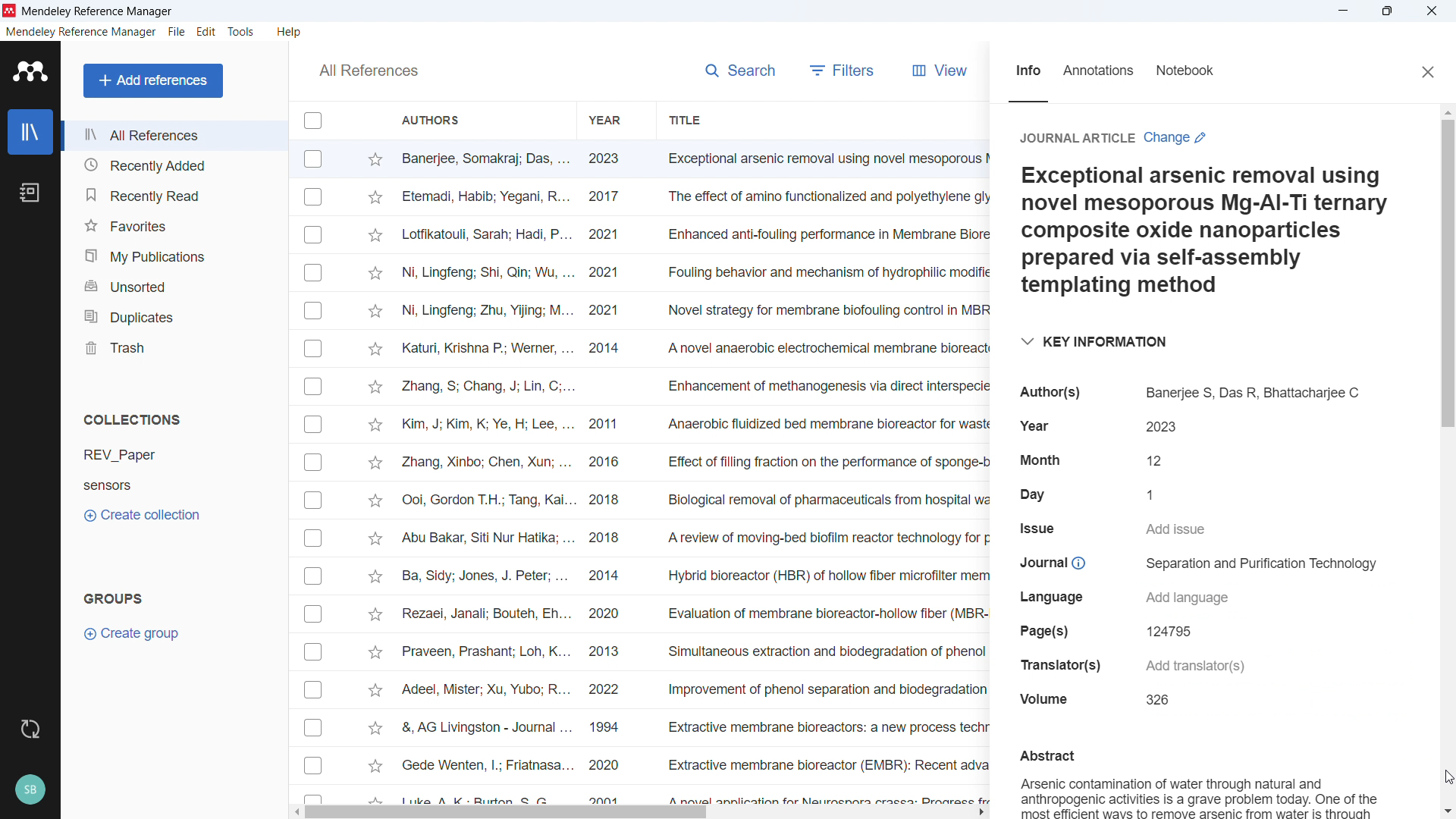 This screenshot has width=1456, height=819. What do you see at coordinates (367, 71) in the screenshot?
I see `all references` at bounding box center [367, 71].